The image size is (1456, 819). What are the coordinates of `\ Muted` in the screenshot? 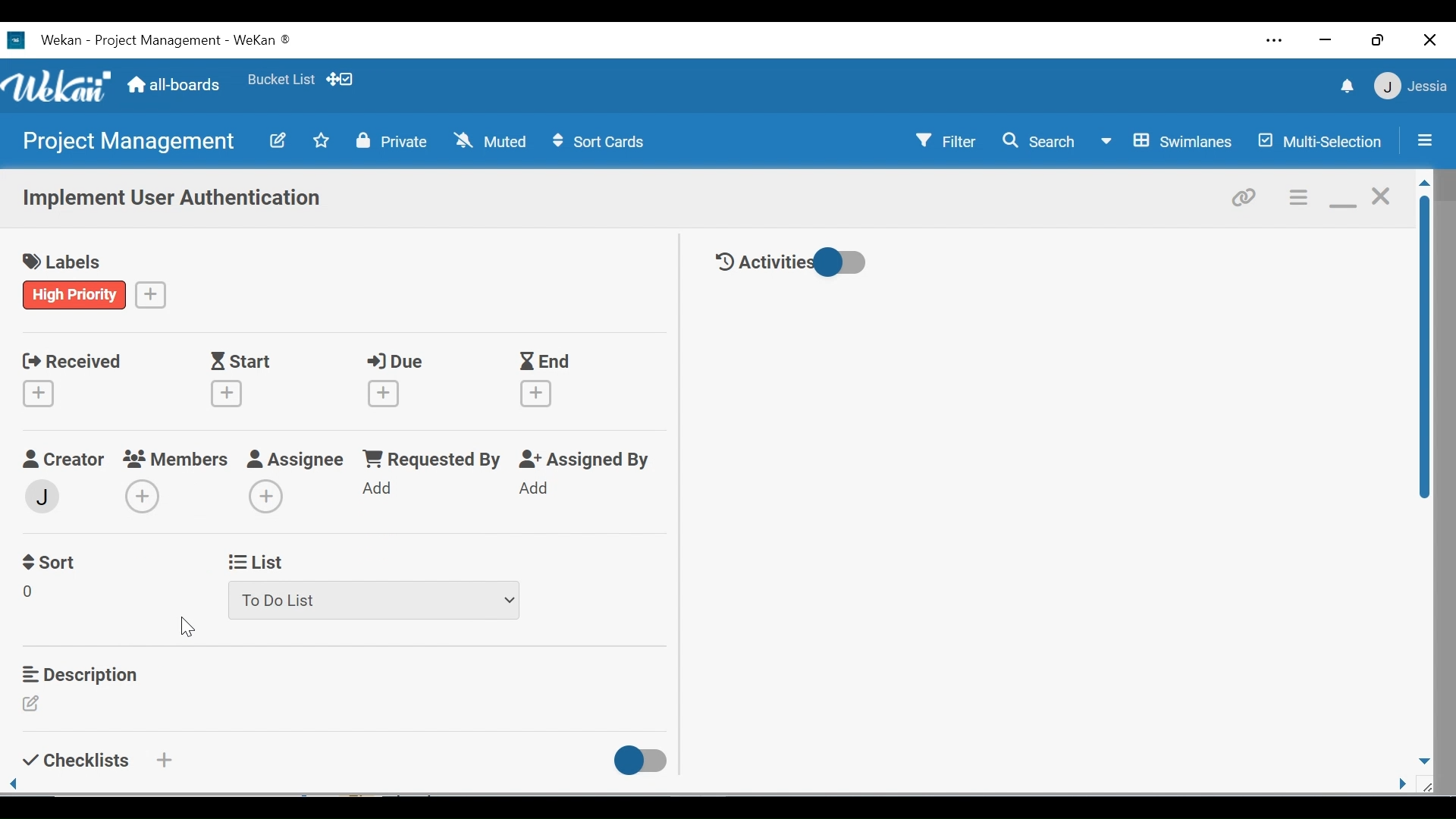 It's located at (492, 142).